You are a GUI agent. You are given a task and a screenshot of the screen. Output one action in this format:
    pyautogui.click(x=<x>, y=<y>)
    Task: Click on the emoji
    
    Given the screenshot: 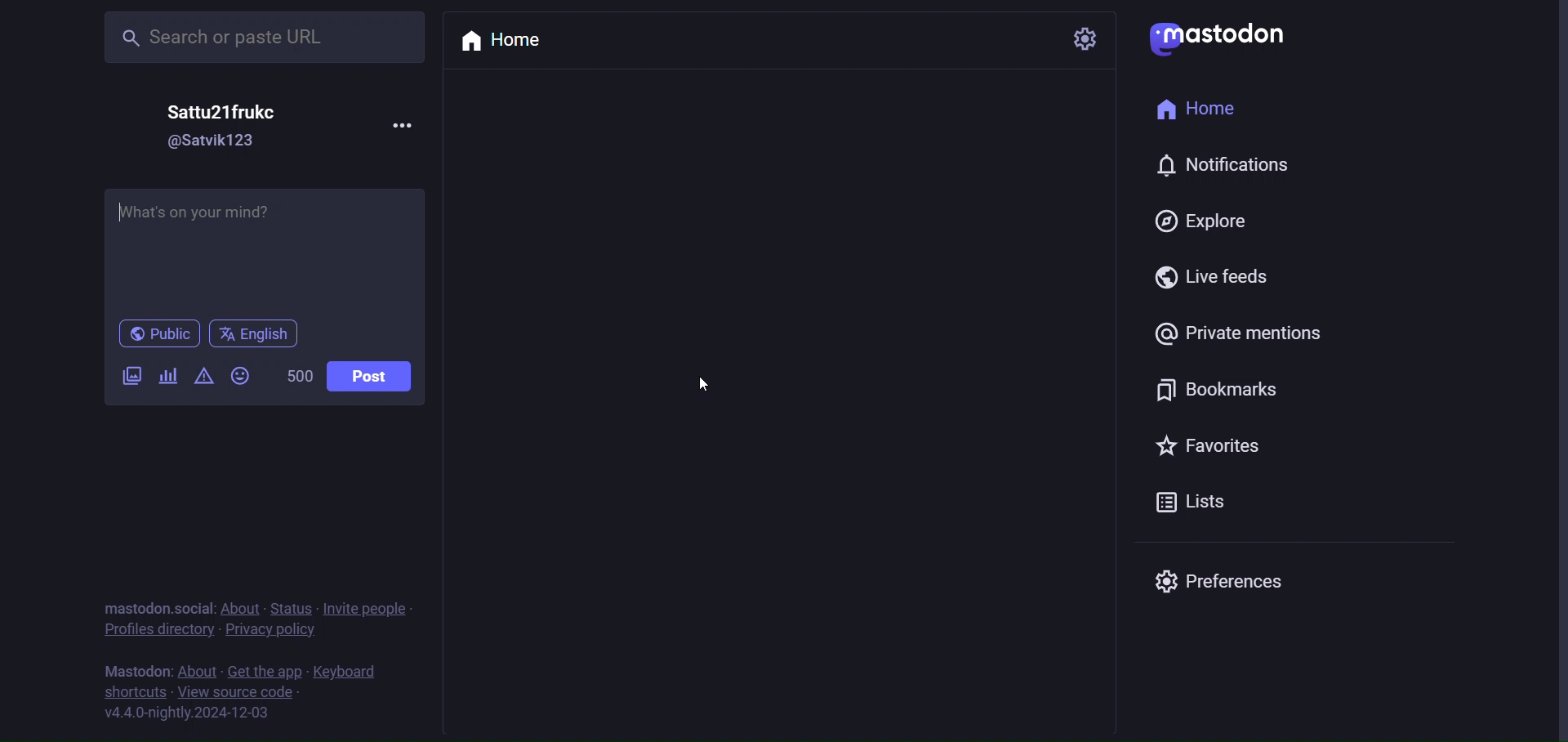 What is the action you would take?
    pyautogui.click(x=240, y=376)
    